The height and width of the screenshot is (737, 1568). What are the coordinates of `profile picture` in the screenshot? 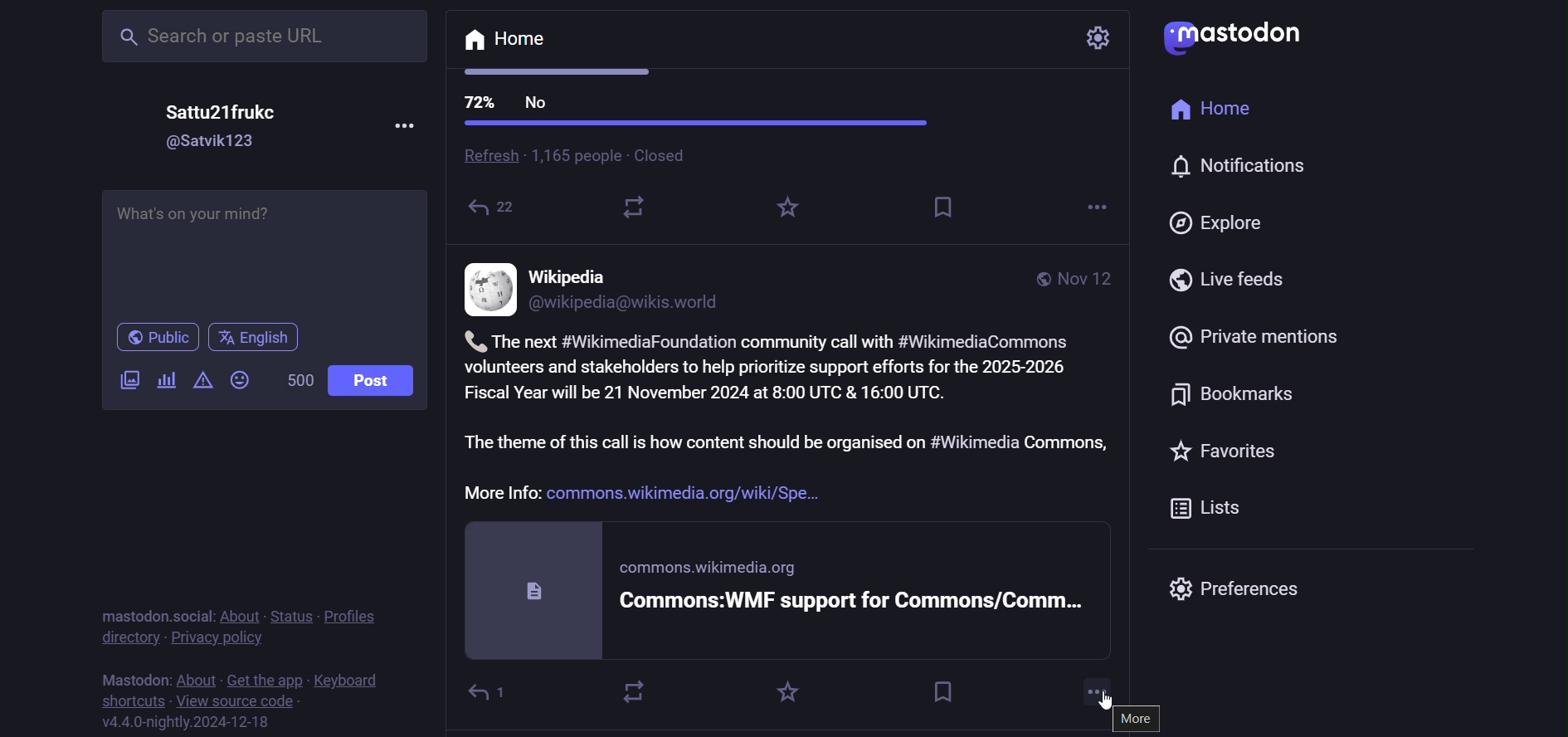 It's located at (490, 290).